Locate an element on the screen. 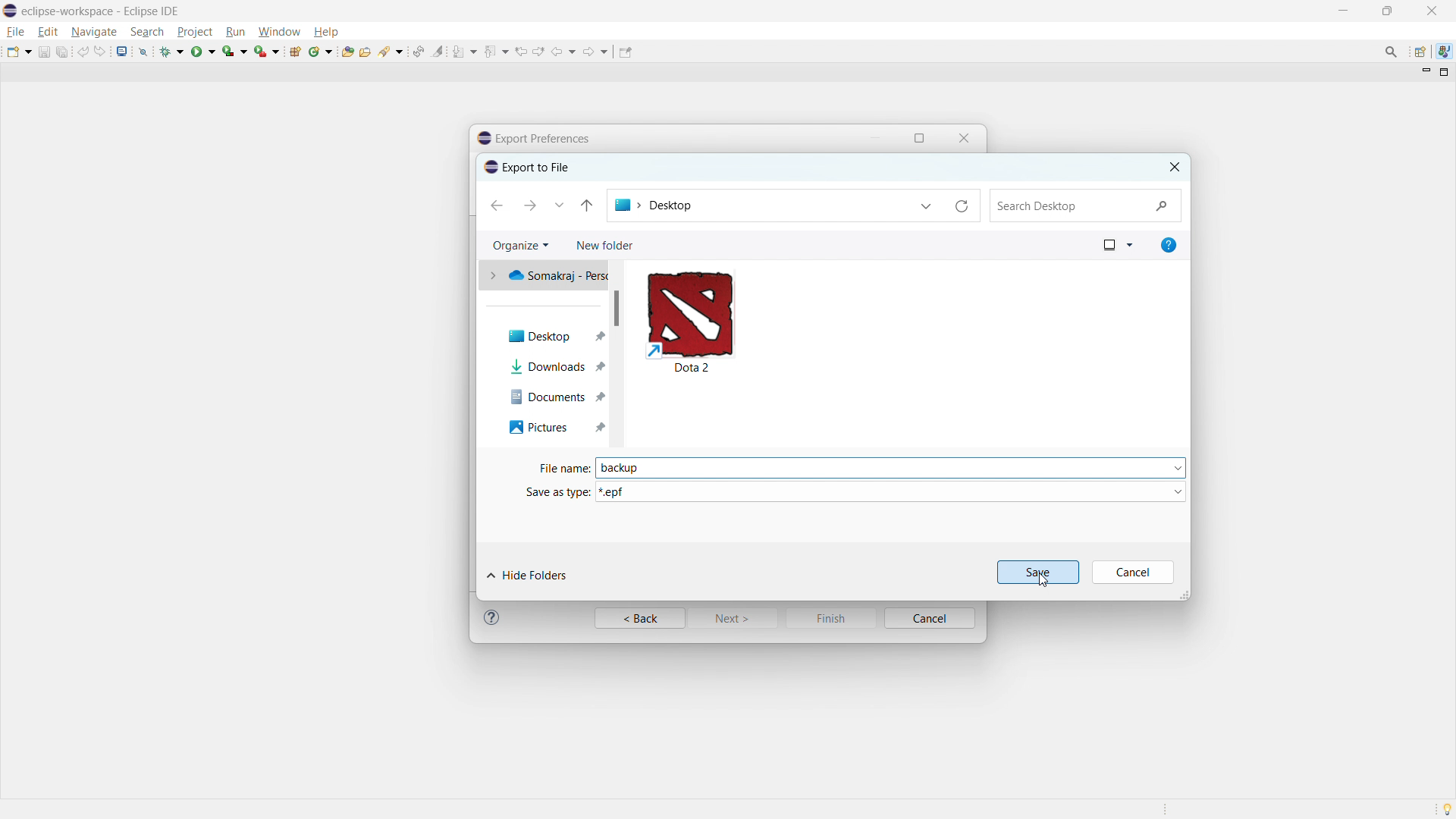 The image size is (1456, 819). open type is located at coordinates (347, 51).